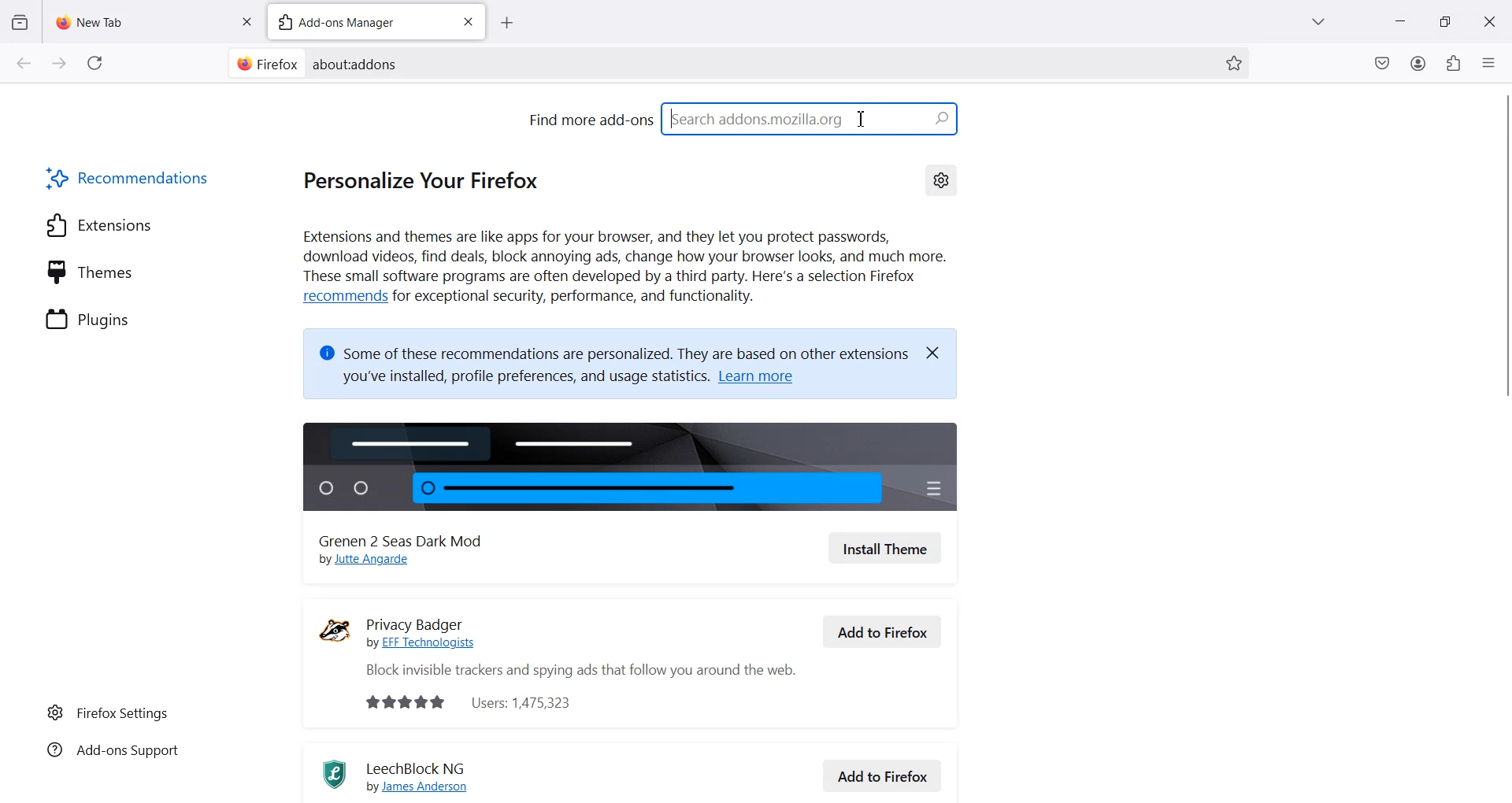  Describe the element at coordinates (884, 774) in the screenshot. I see `Add to Firefox` at that location.